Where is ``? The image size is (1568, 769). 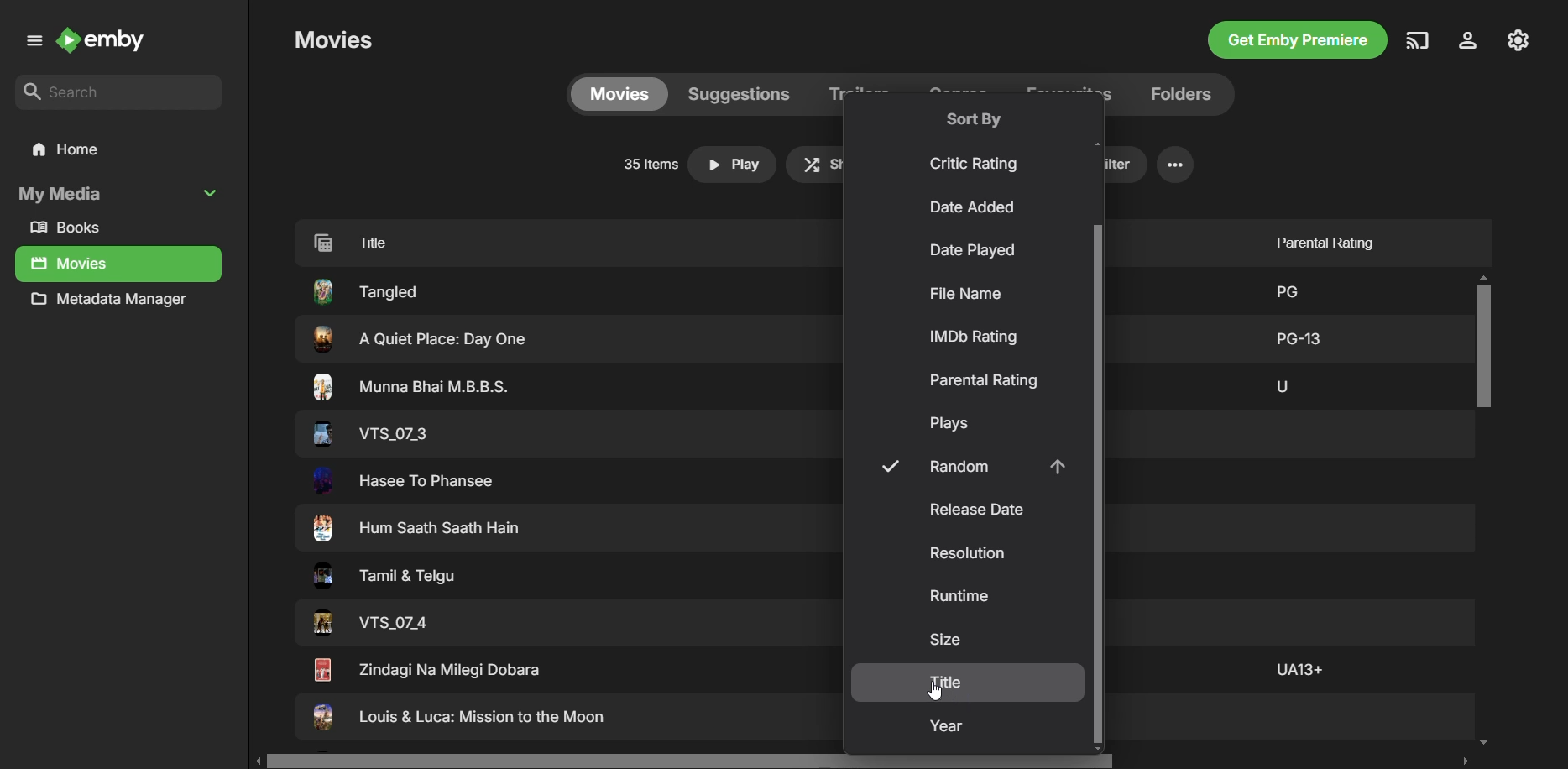  is located at coordinates (426, 669).